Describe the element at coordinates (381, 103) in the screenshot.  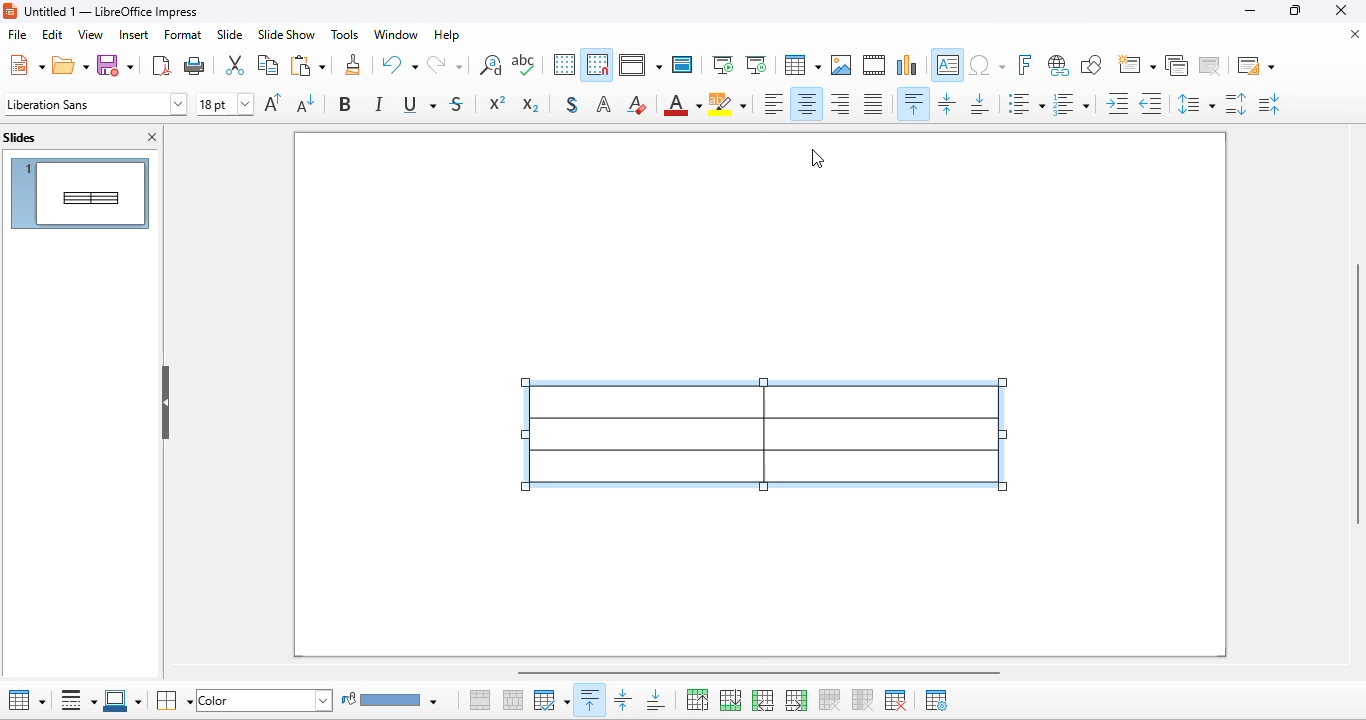
I see `italic` at that location.